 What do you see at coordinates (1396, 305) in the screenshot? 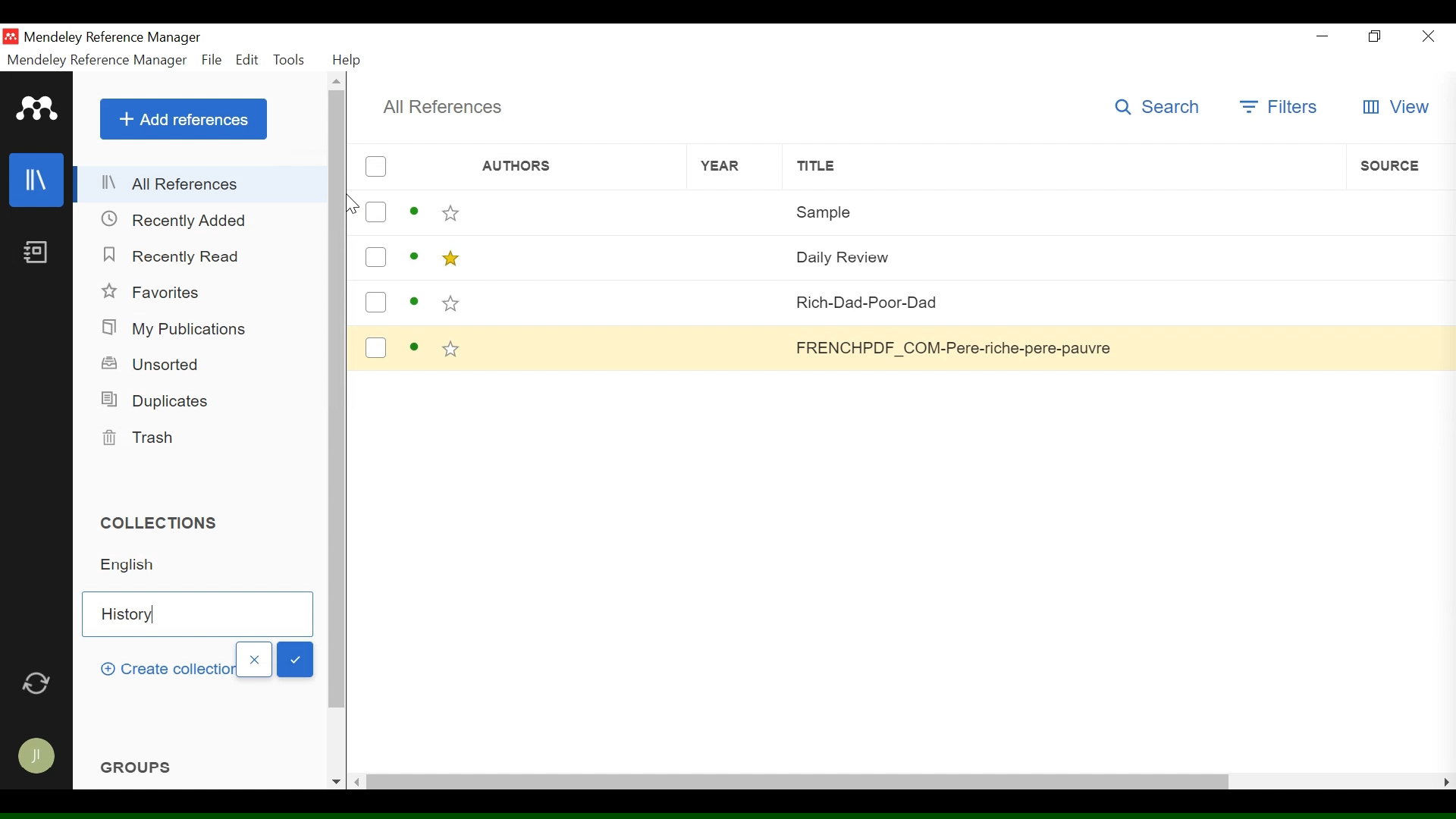
I see `Source` at bounding box center [1396, 305].